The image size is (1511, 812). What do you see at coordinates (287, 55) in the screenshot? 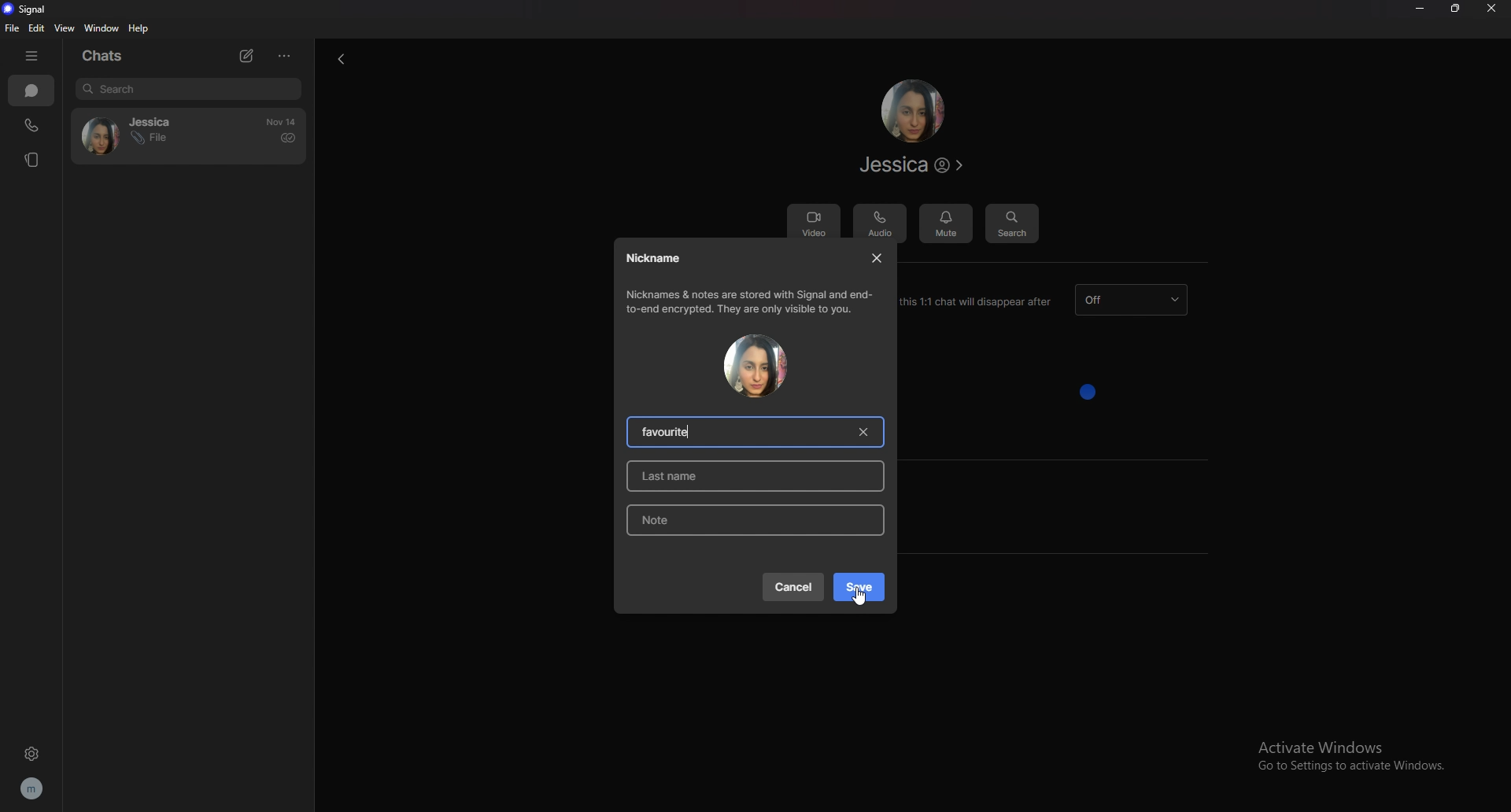
I see `options` at bounding box center [287, 55].